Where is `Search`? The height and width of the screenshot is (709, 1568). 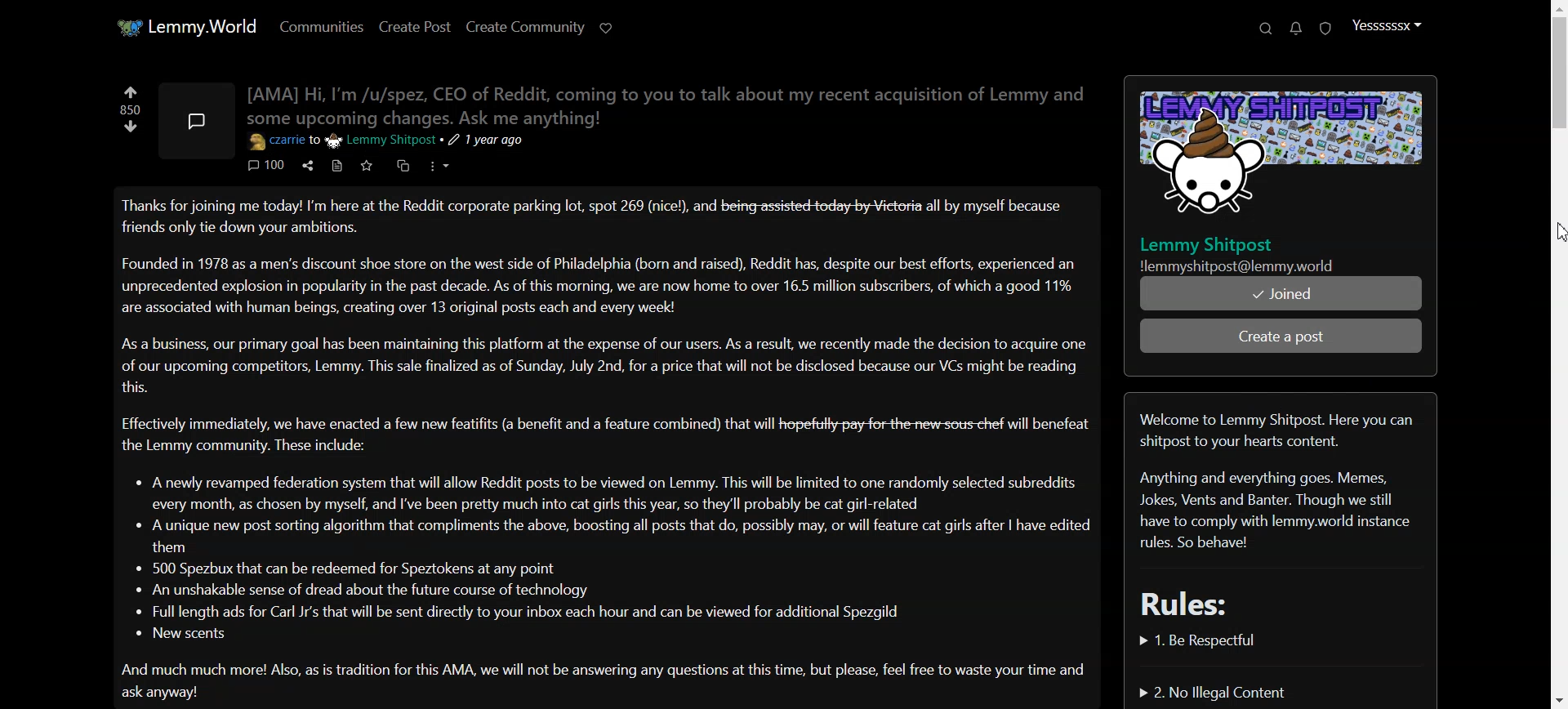
Search is located at coordinates (1265, 29).